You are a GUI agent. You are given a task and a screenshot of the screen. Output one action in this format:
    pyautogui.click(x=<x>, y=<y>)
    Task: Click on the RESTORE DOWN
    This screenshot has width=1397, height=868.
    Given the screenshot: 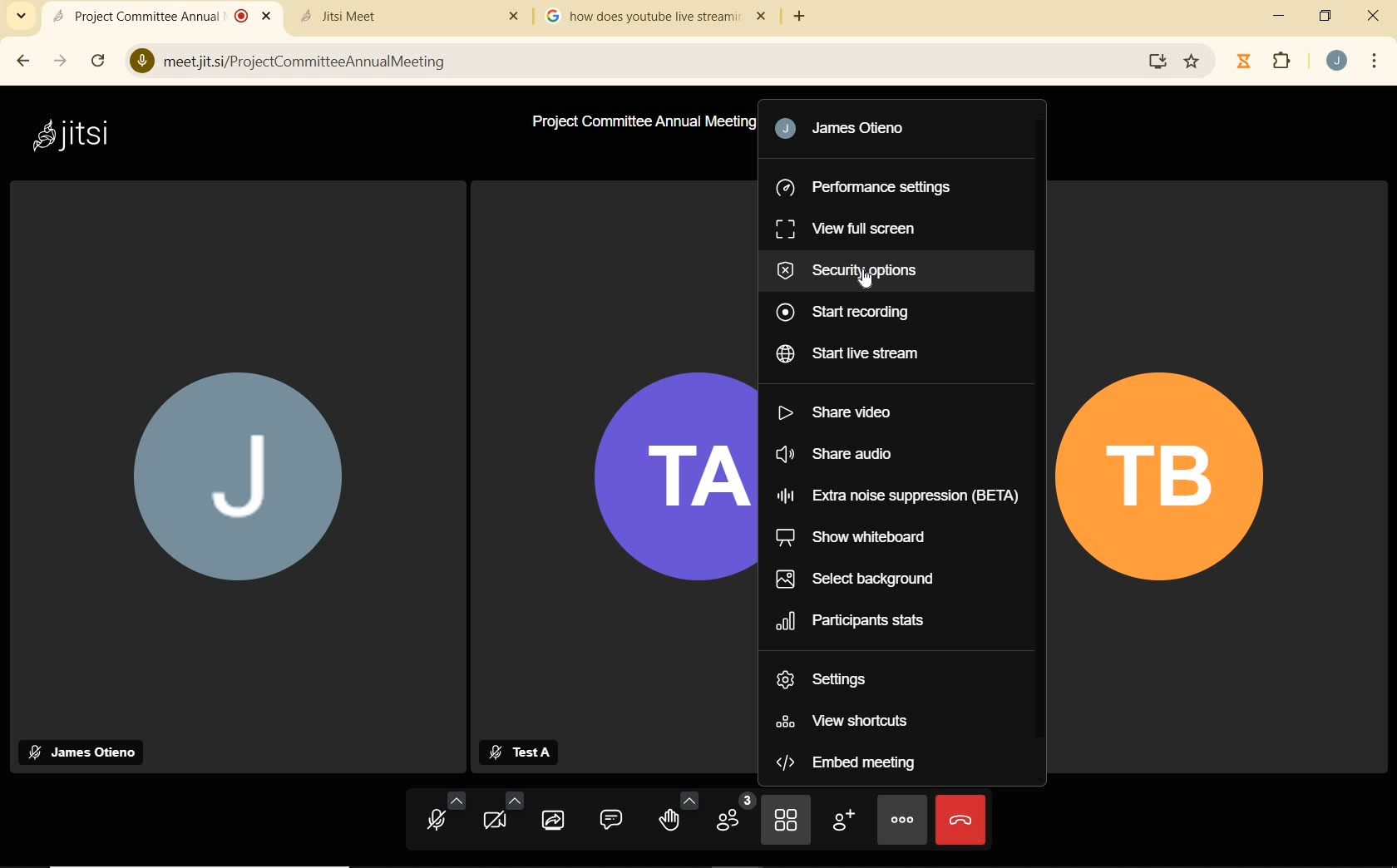 What is the action you would take?
    pyautogui.click(x=1325, y=16)
    